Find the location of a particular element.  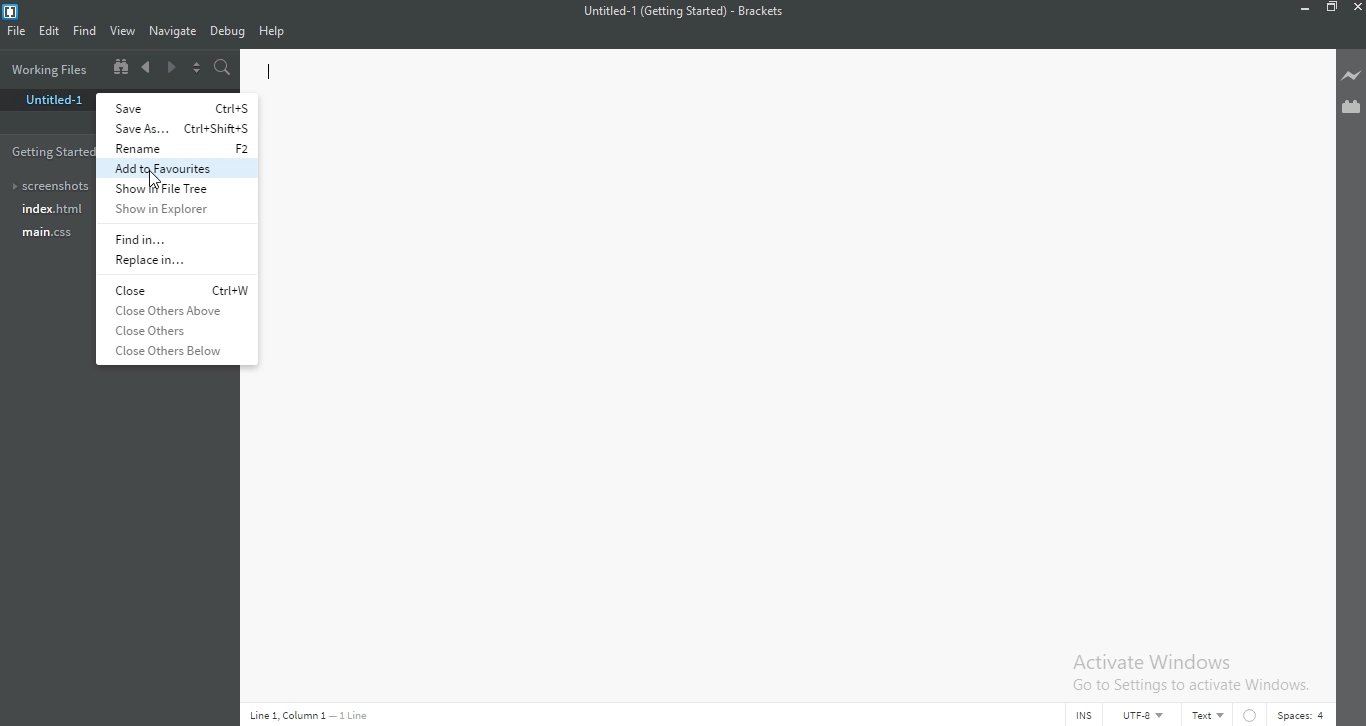

Extension Manager is located at coordinates (1351, 106).